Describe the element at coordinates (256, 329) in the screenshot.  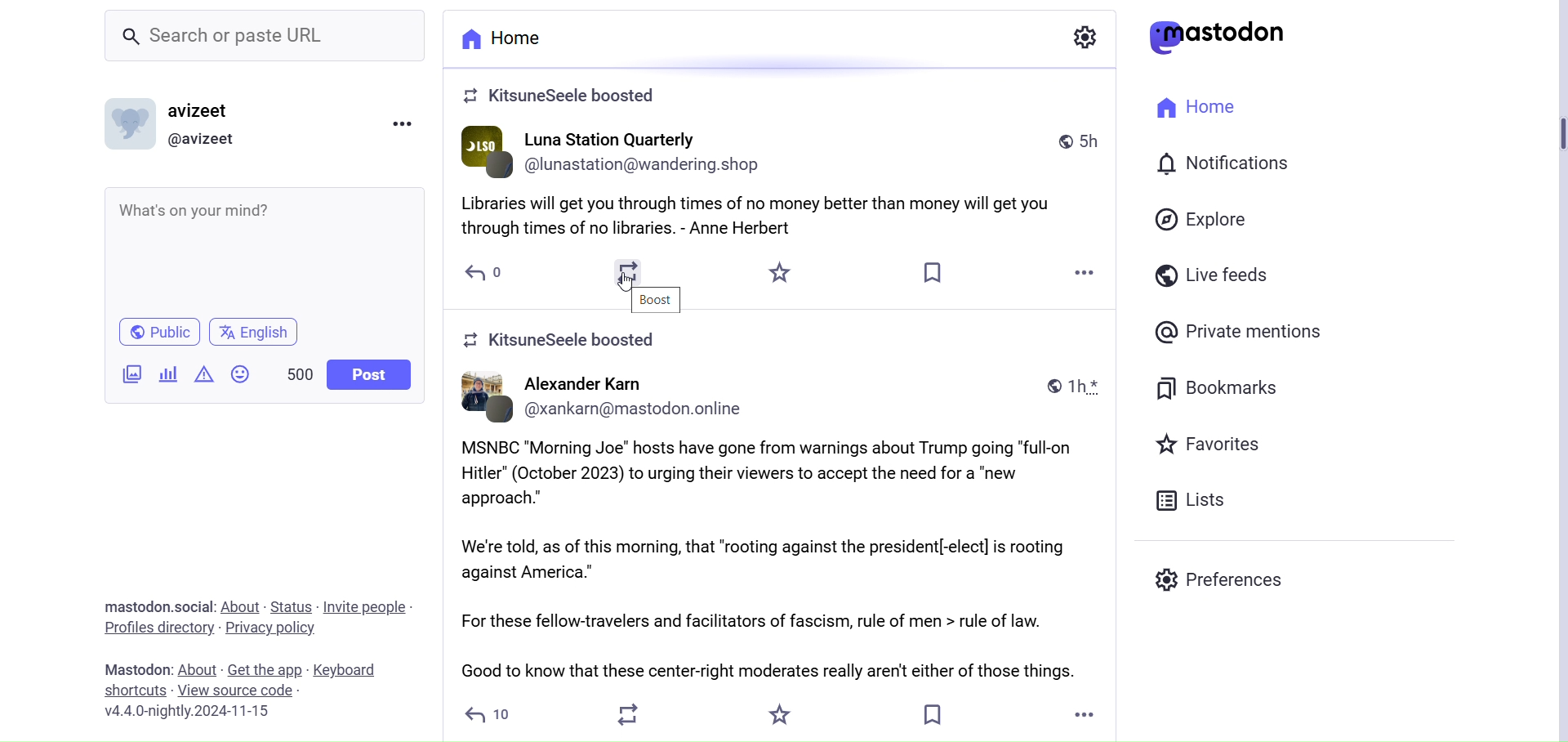
I see `English` at that location.